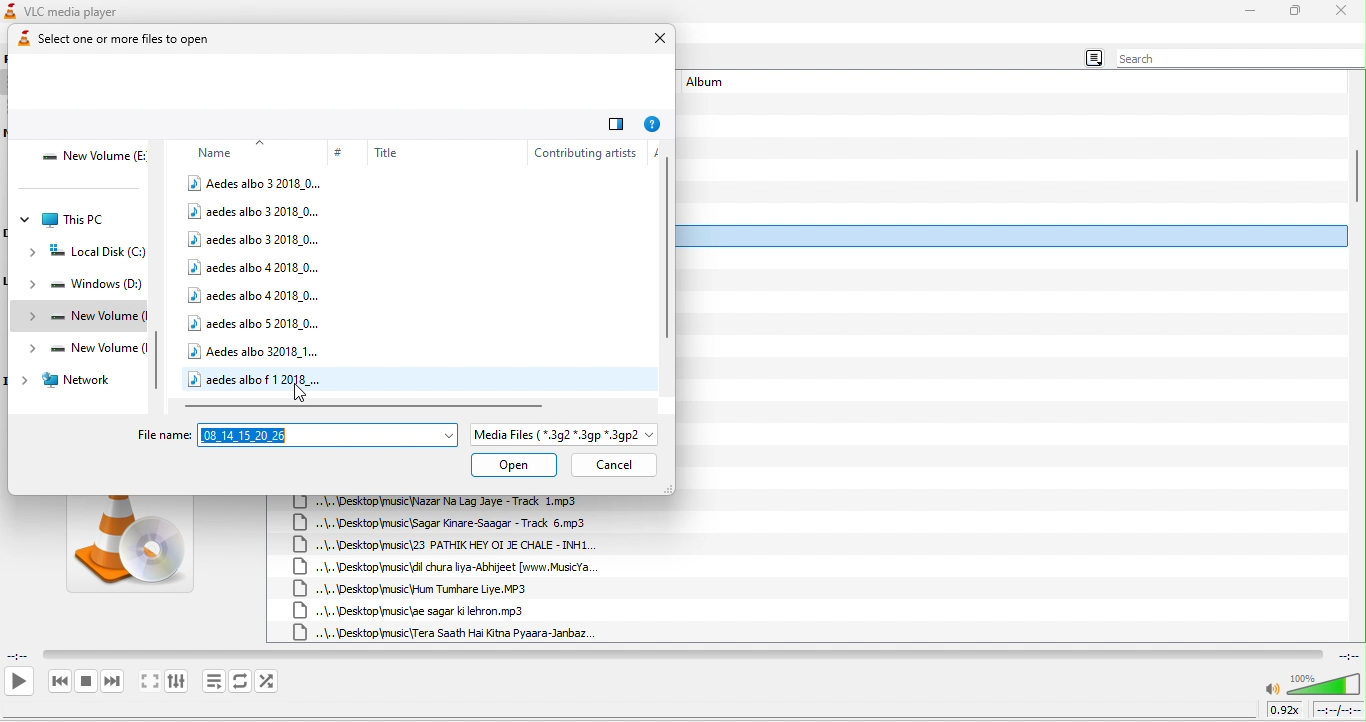 Image resolution: width=1366 pixels, height=722 pixels. I want to click on maximize, so click(1296, 12).